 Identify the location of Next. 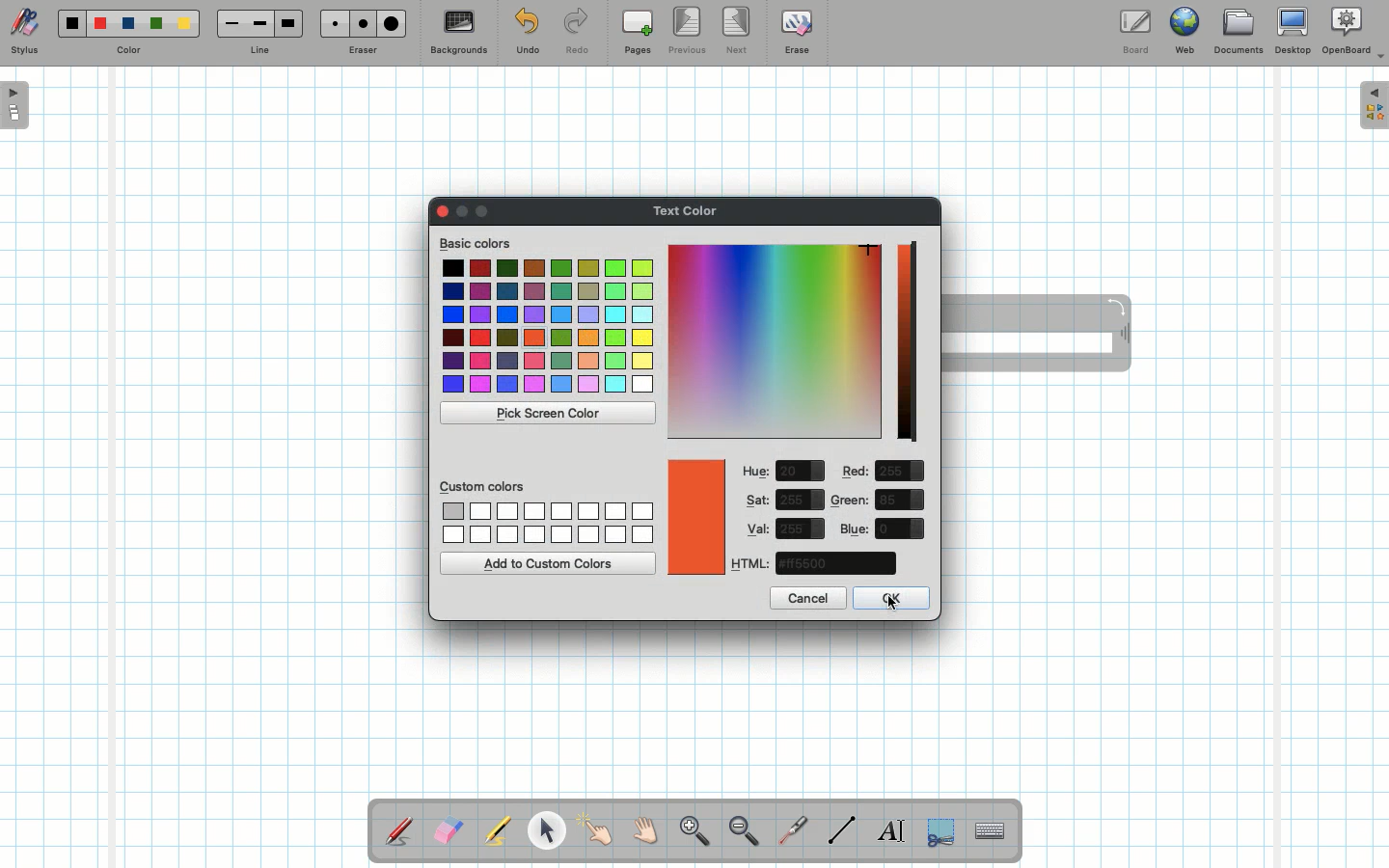
(738, 29).